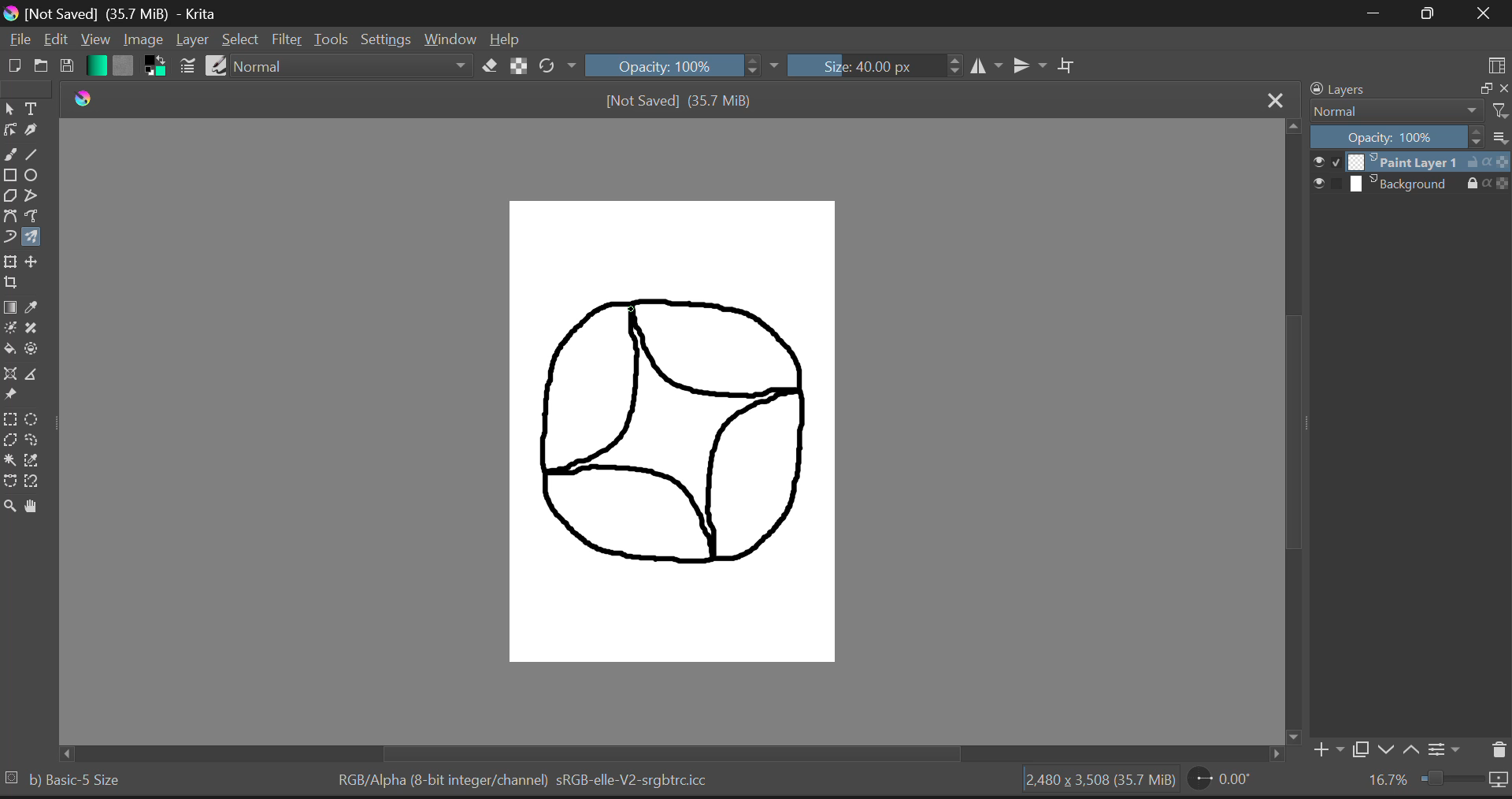 The width and height of the screenshot is (1512, 799). I want to click on Select, so click(240, 40).